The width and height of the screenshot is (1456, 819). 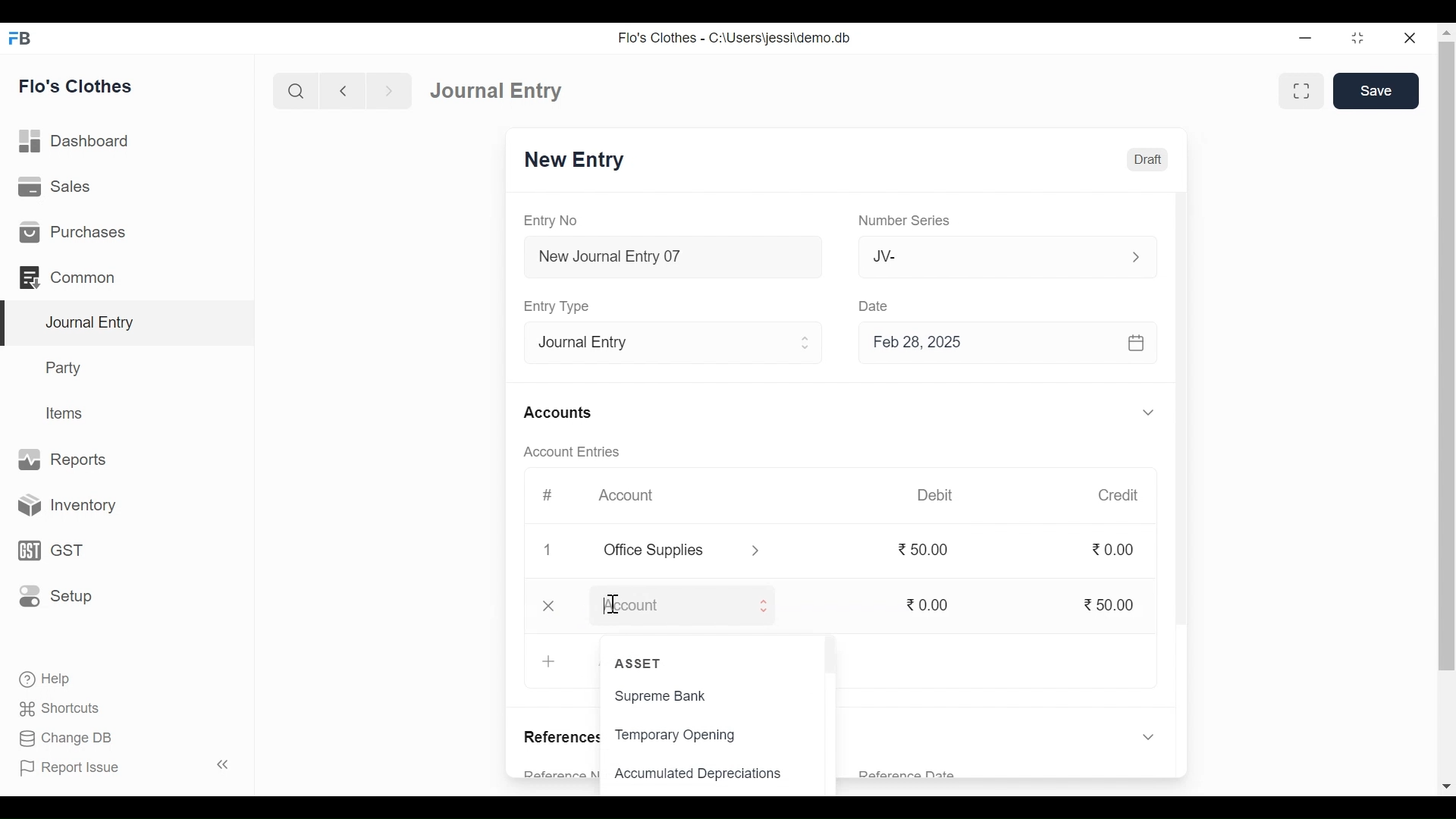 I want to click on Reports, so click(x=64, y=458).